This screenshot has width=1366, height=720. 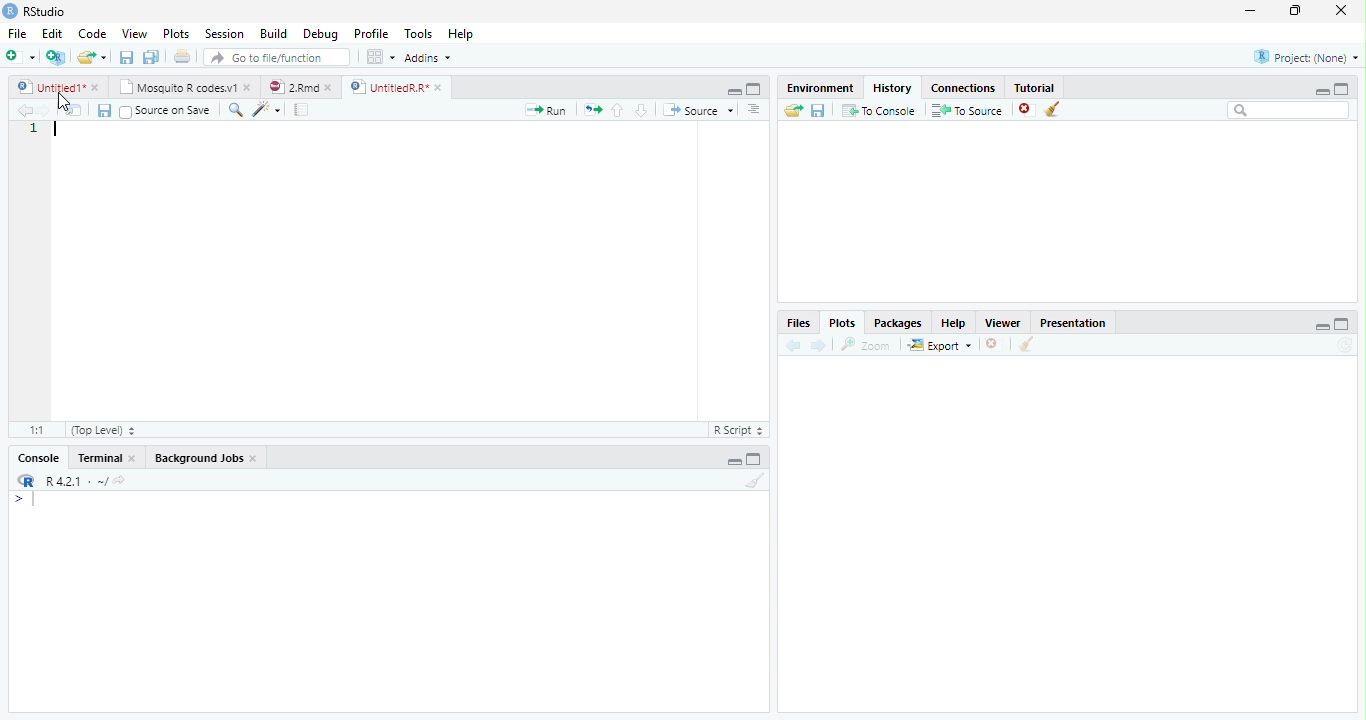 I want to click on Terminal, so click(x=95, y=458).